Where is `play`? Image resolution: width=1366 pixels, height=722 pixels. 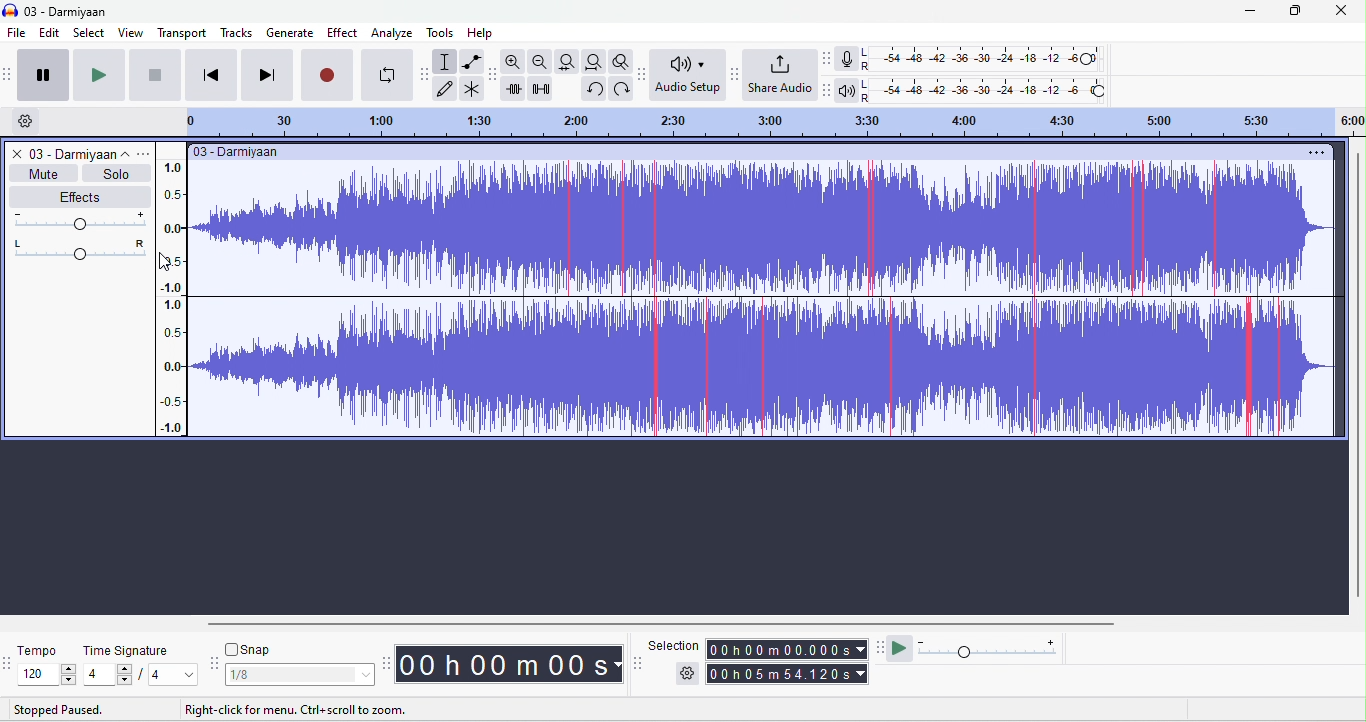
play is located at coordinates (97, 74).